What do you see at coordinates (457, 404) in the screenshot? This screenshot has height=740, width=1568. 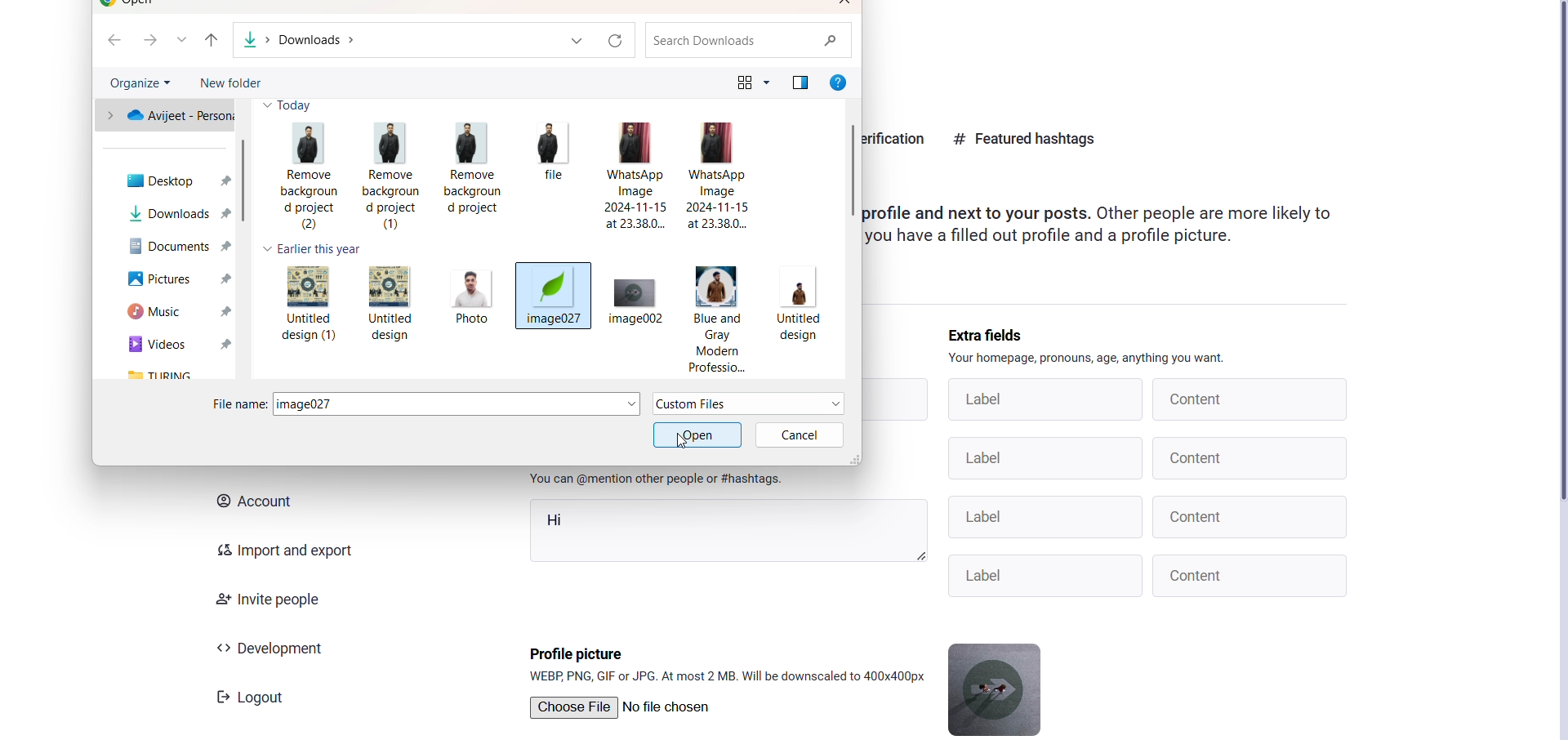 I see `selected image name` at bounding box center [457, 404].